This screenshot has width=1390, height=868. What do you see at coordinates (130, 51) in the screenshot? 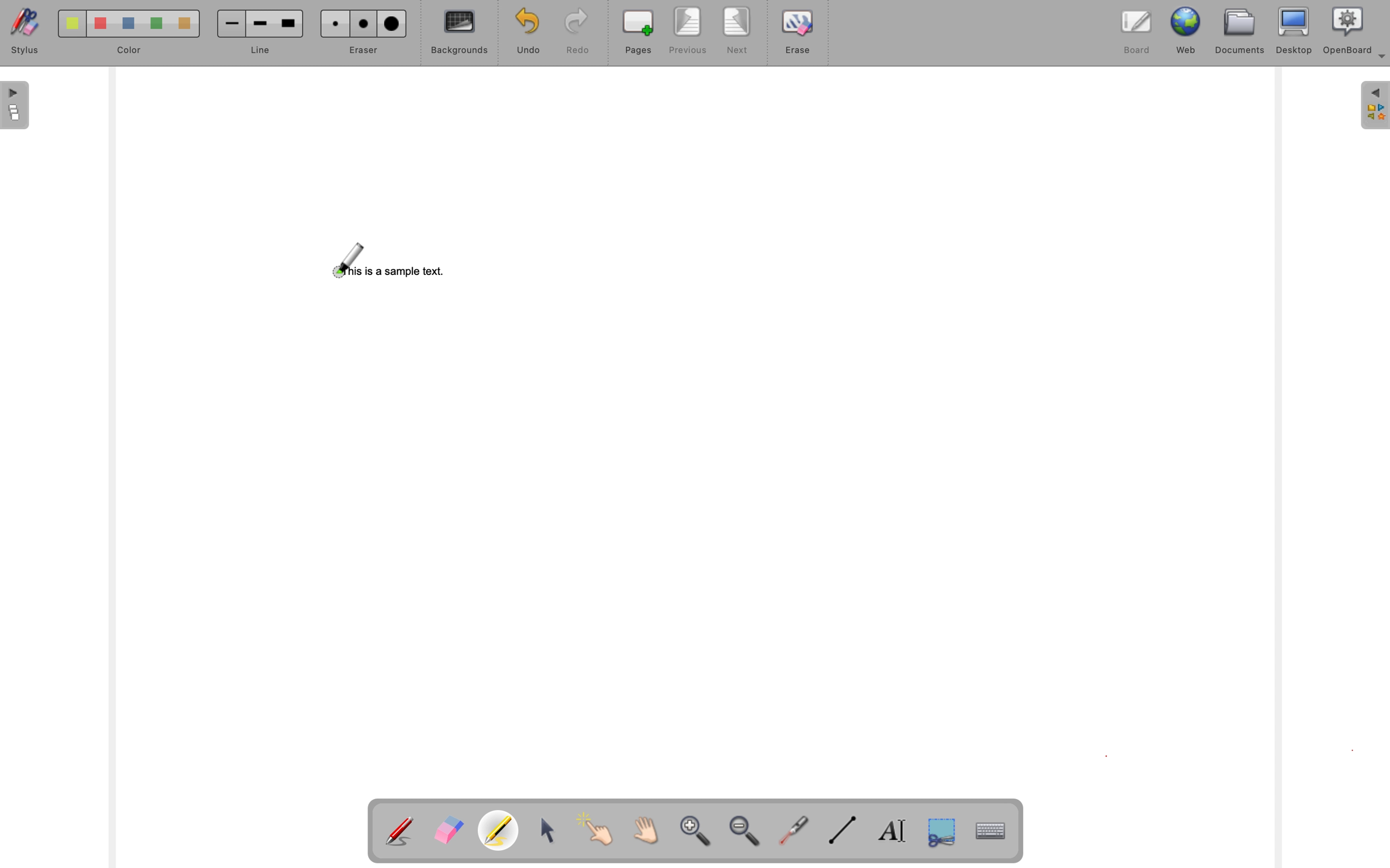
I see `color` at bounding box center [130, 51].